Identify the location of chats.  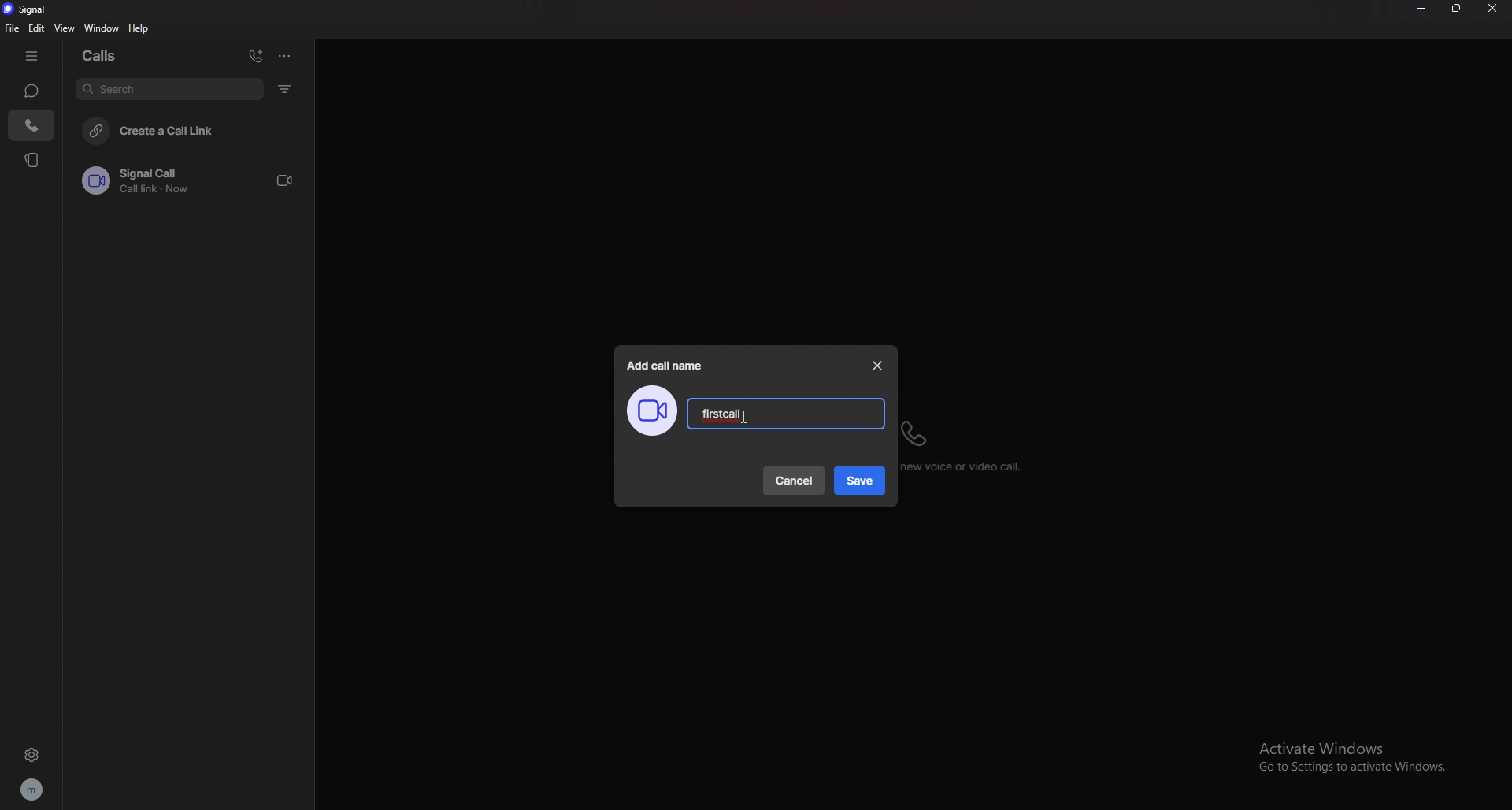
(31, 90).